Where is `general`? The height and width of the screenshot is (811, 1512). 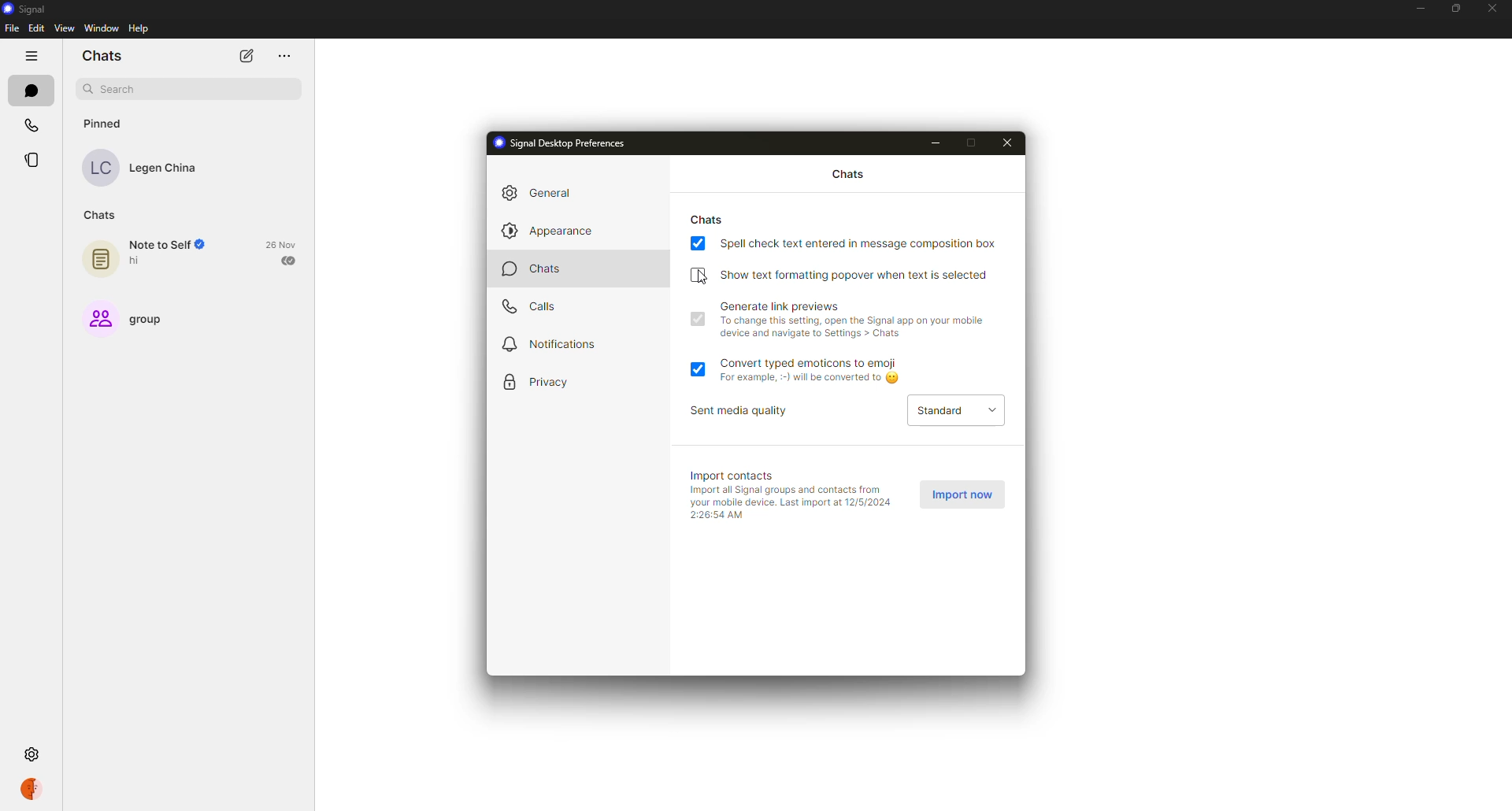
general is located at coordinates (547, 191).